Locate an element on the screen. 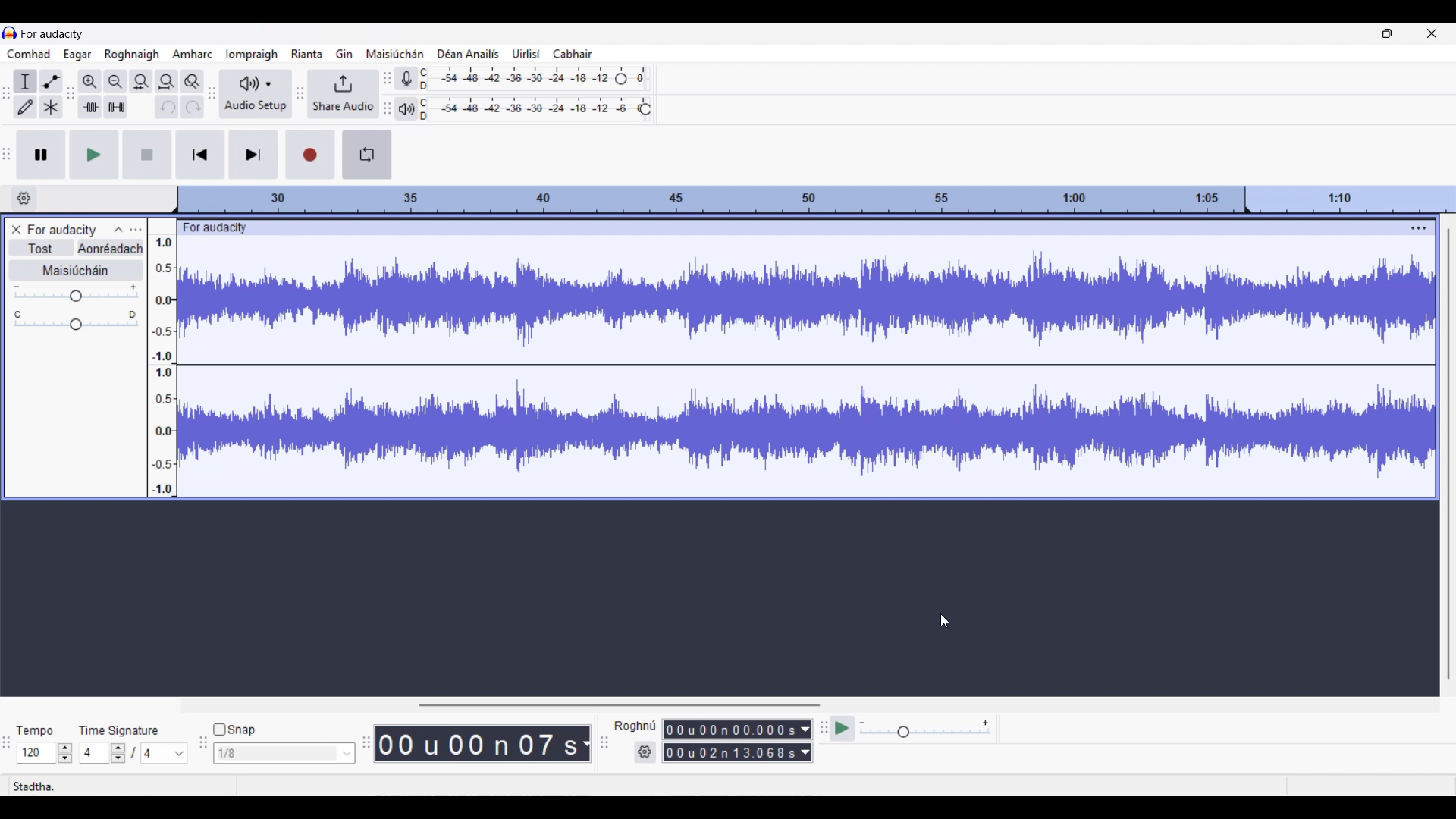  Selection tool is located at coordinates (25, 81).